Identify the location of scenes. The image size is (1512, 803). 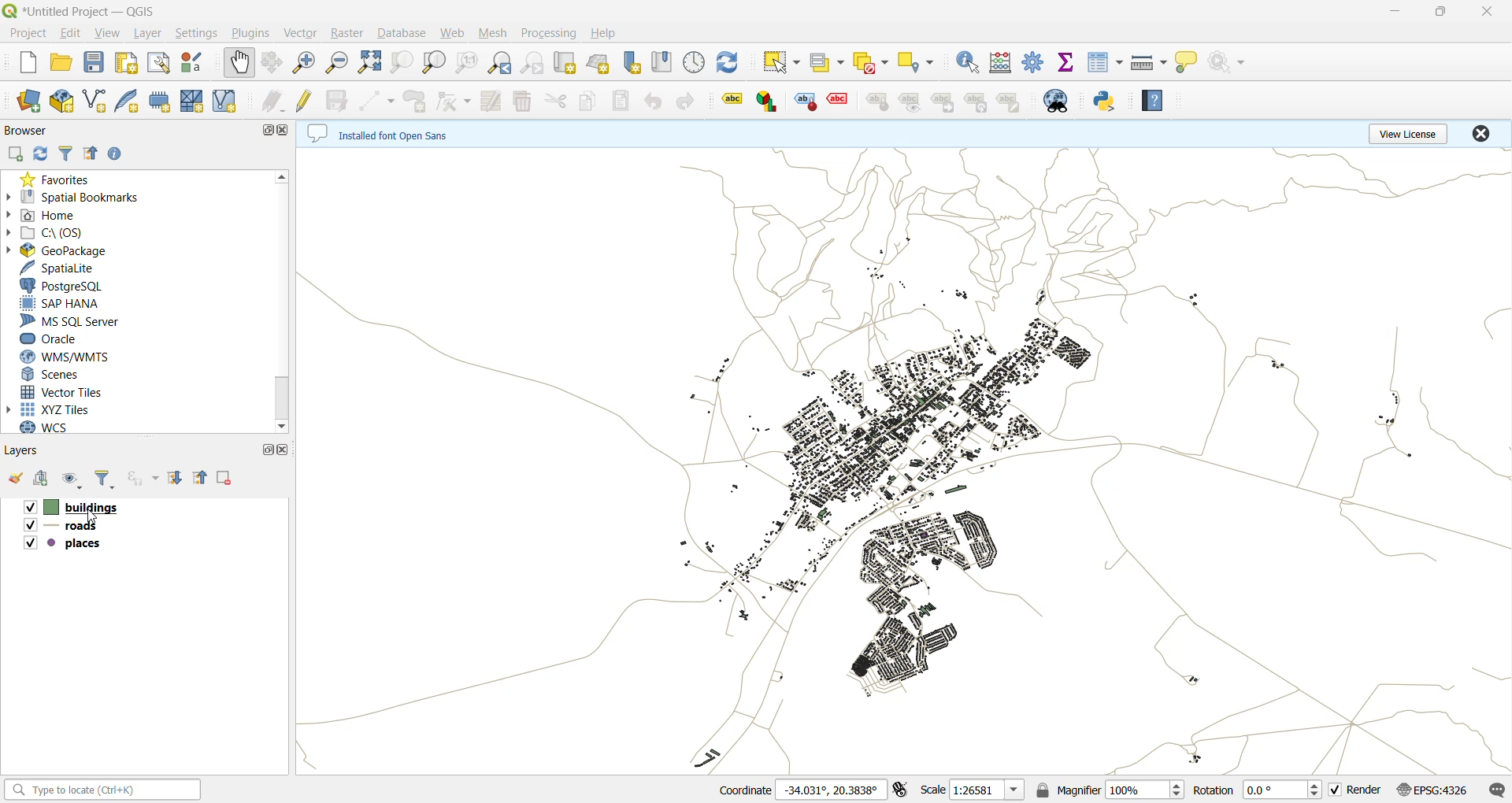
(64, 375).